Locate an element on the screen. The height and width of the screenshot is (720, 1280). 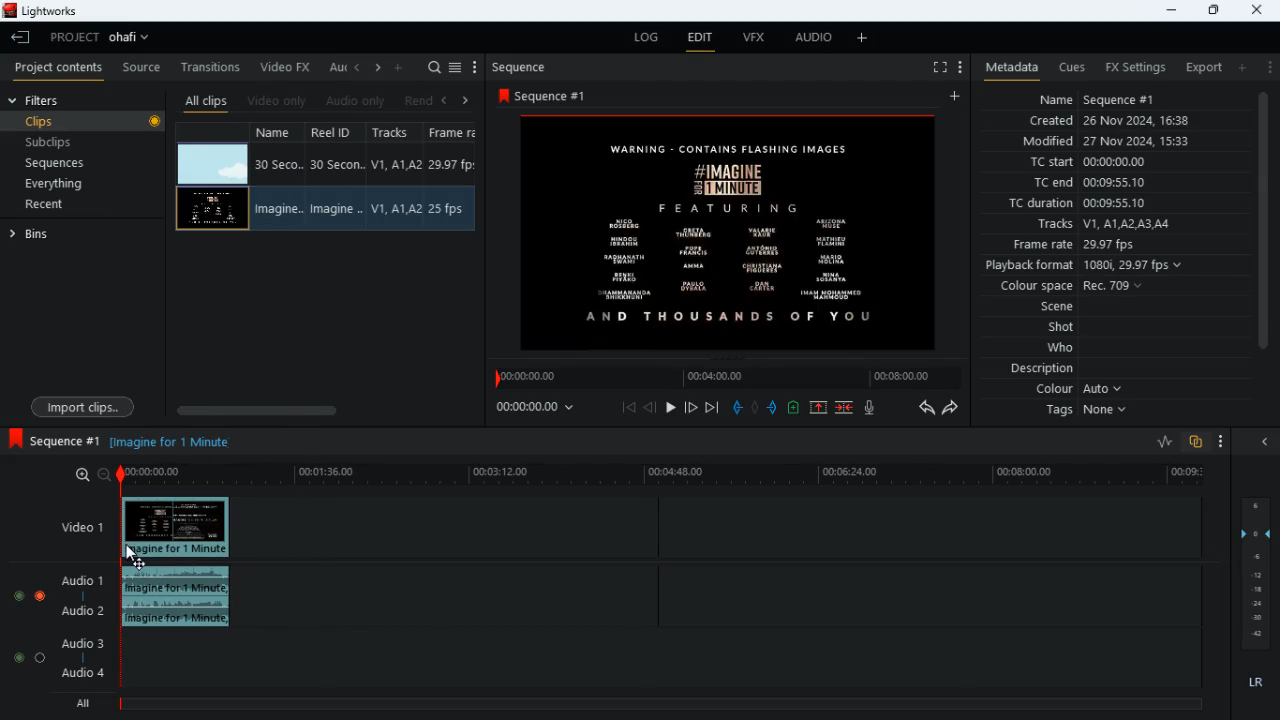
more is located at coordinates (475, 67).